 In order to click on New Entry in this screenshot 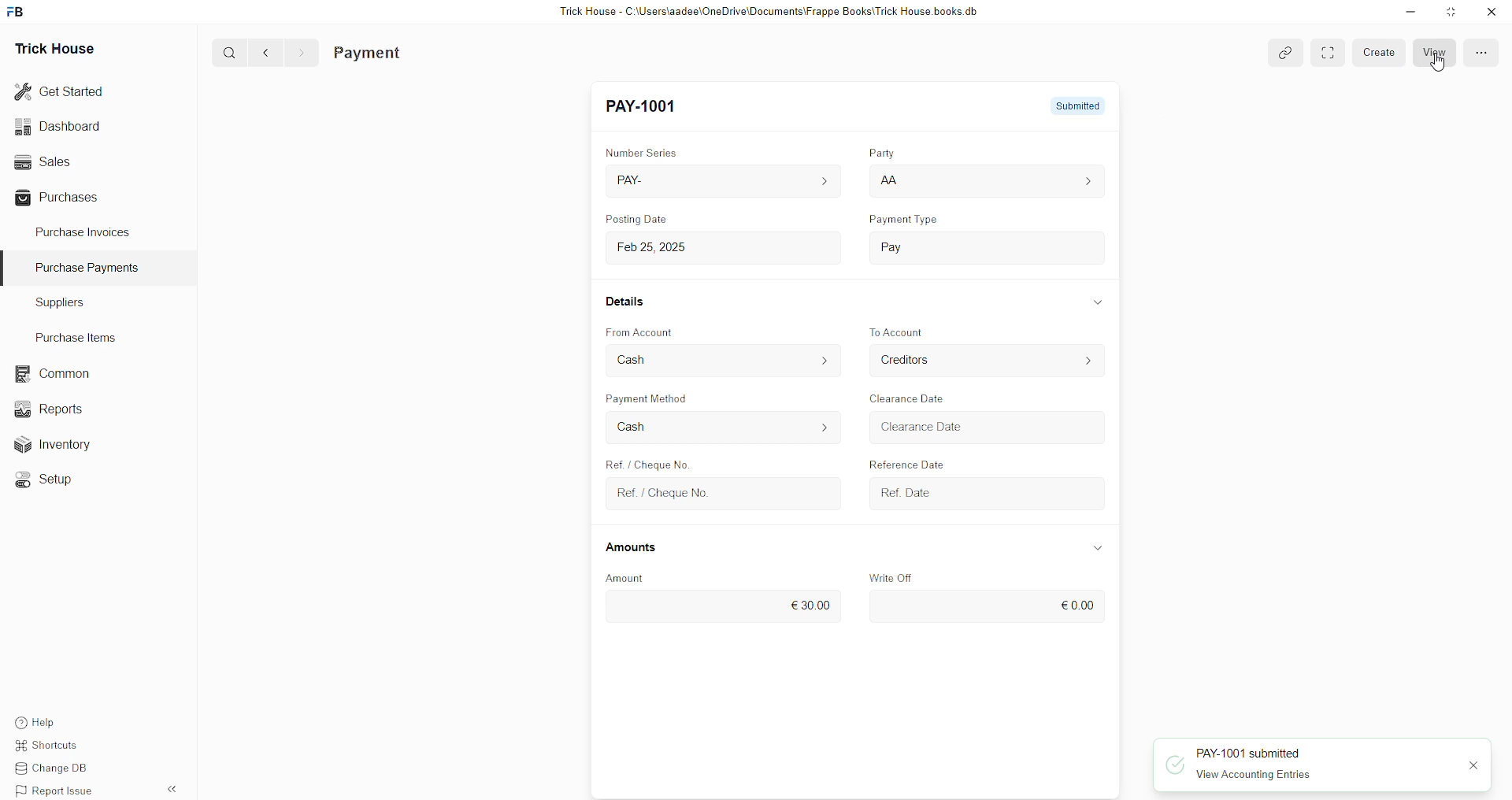, I will do `click(649, 107)`.